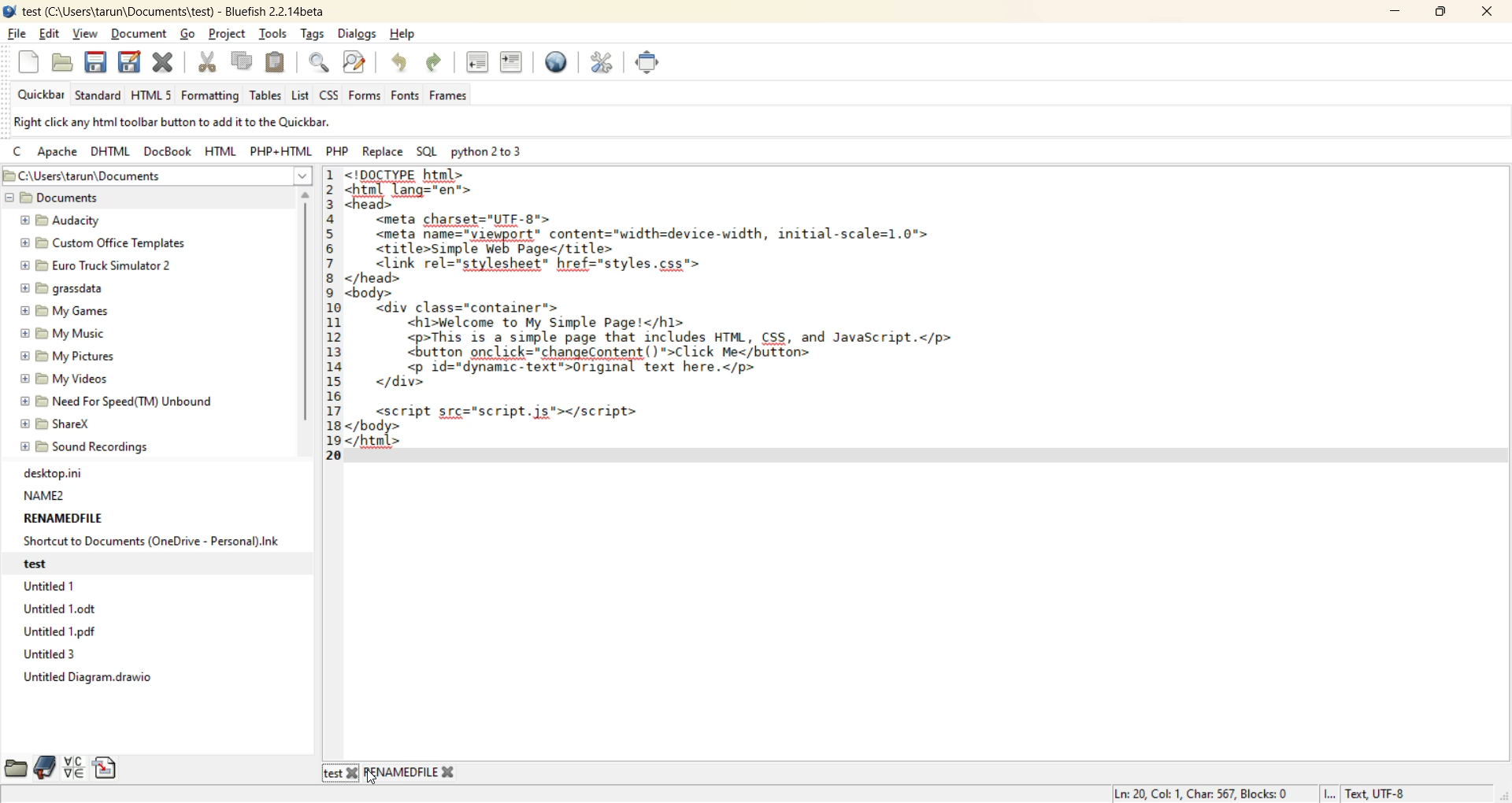 The width and height of the screenshot is (1512, 803). I want to click on undo, so click(402, 64).